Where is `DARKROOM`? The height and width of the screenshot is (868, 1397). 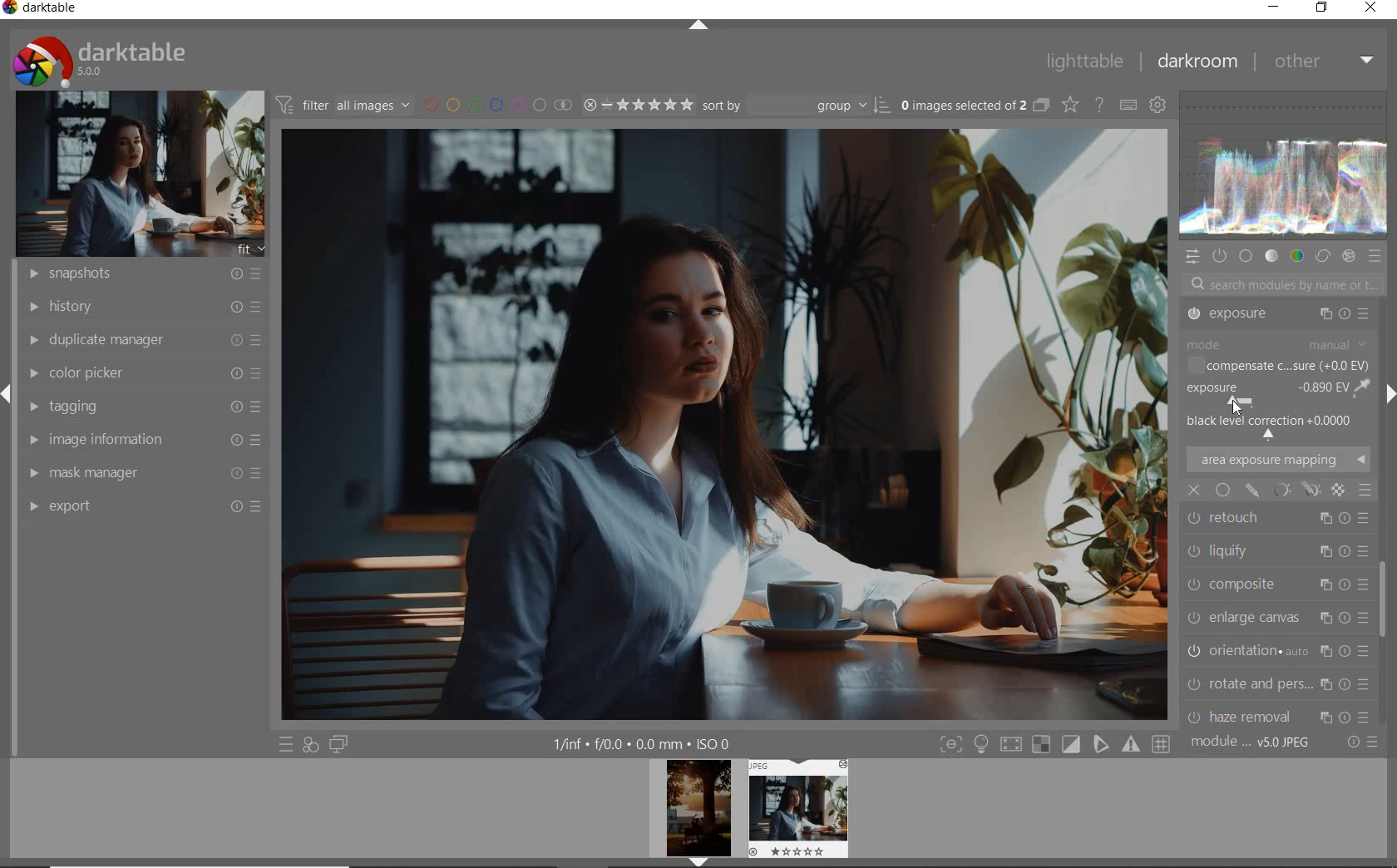
DARKROOM is located at coordinates (1199, 61).